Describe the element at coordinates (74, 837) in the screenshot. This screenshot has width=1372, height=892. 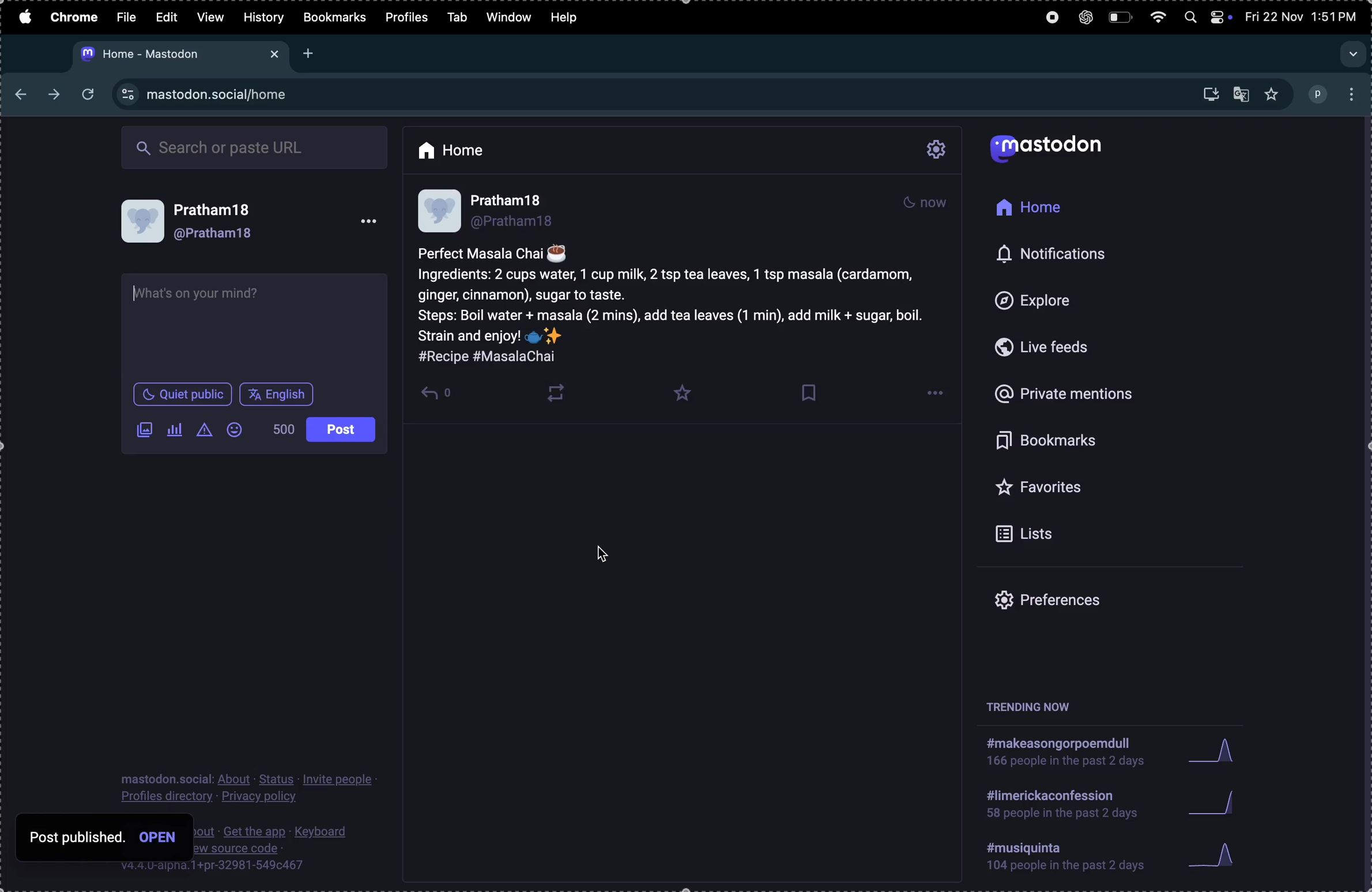
I see `post published` at that location.